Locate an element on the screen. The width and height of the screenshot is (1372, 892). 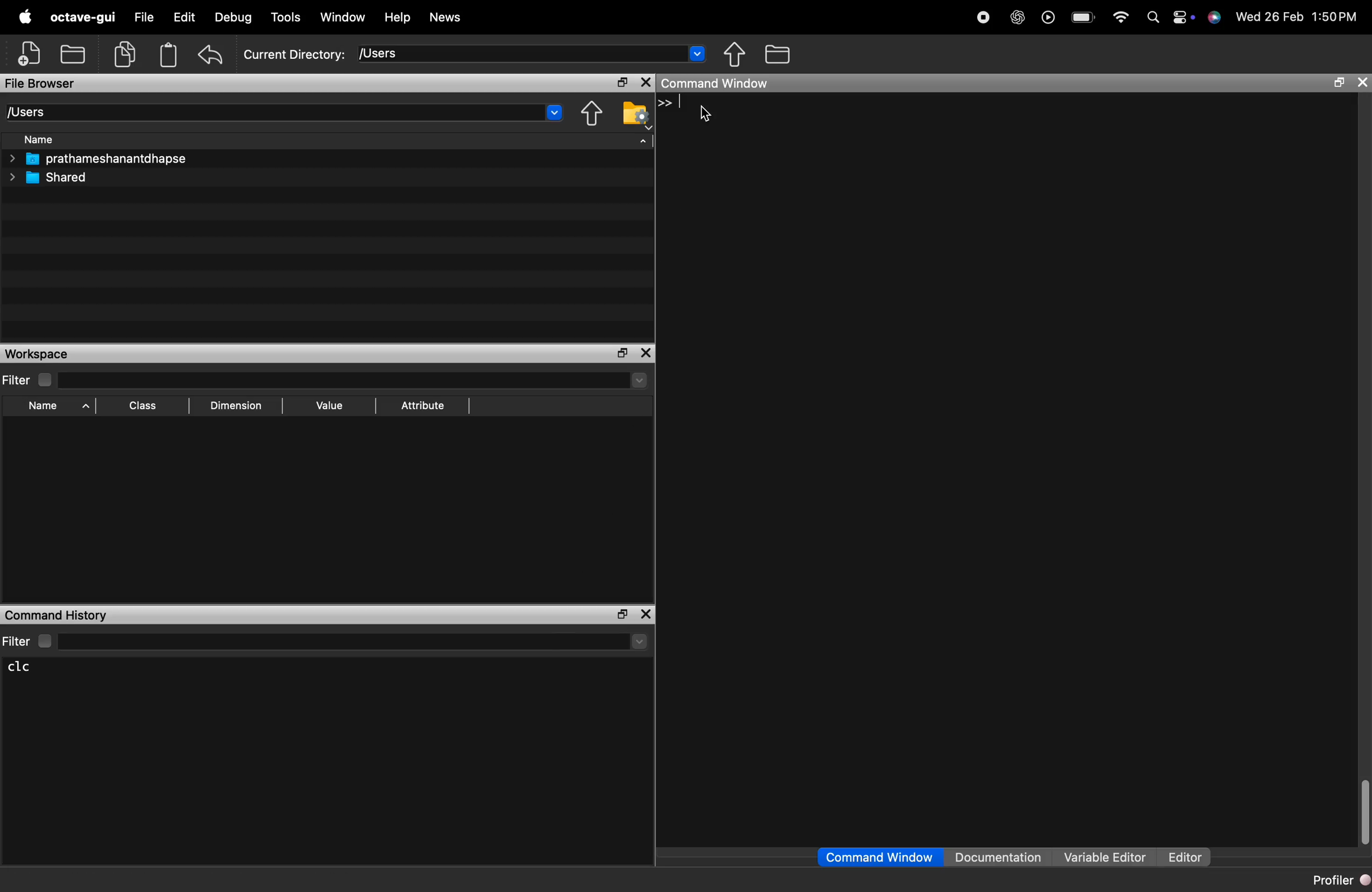
prathameshanantdhapse is located at coordinates (97, 159).